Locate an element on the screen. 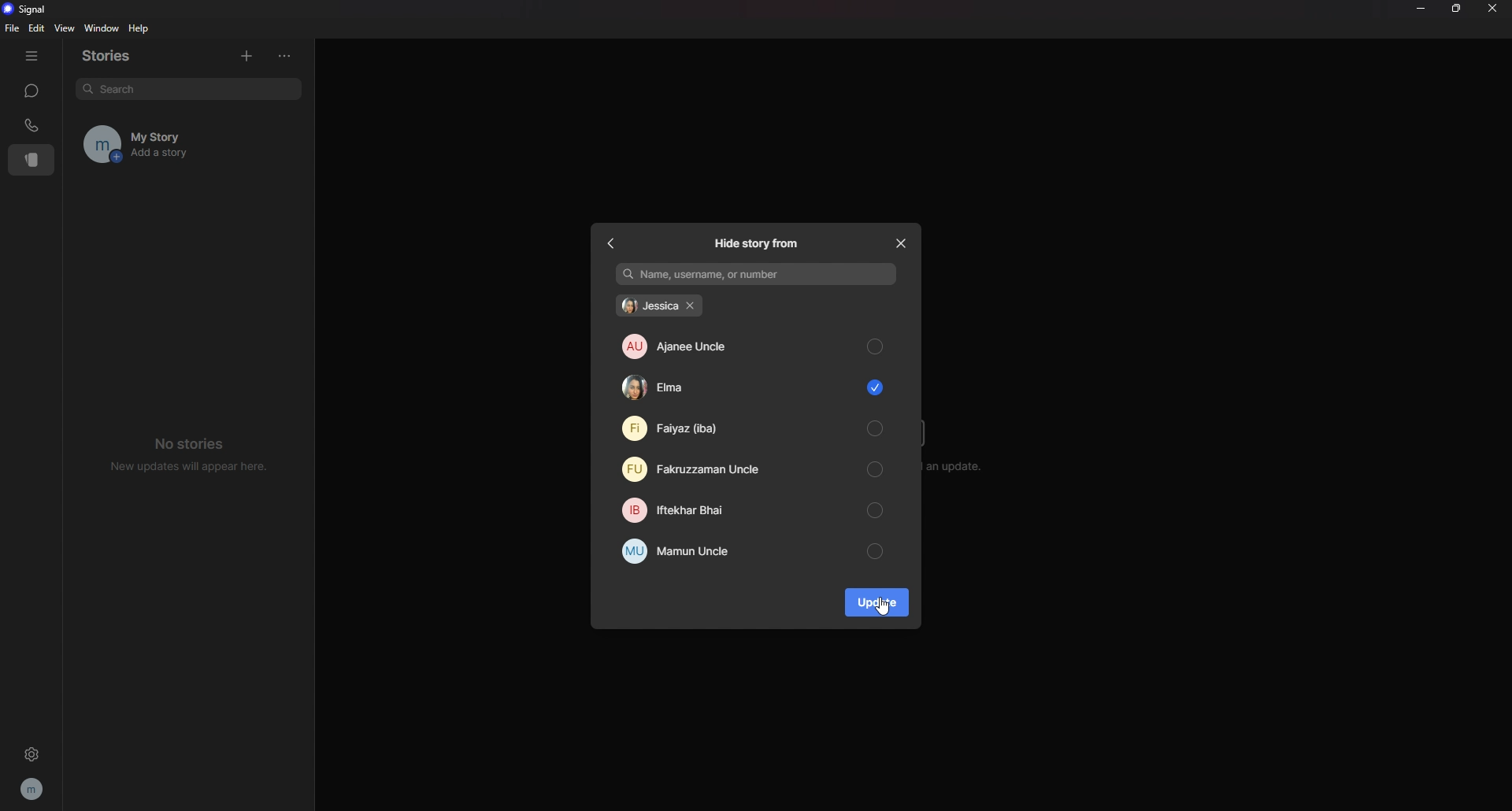  minimize is located at coordinates (1420, 8).